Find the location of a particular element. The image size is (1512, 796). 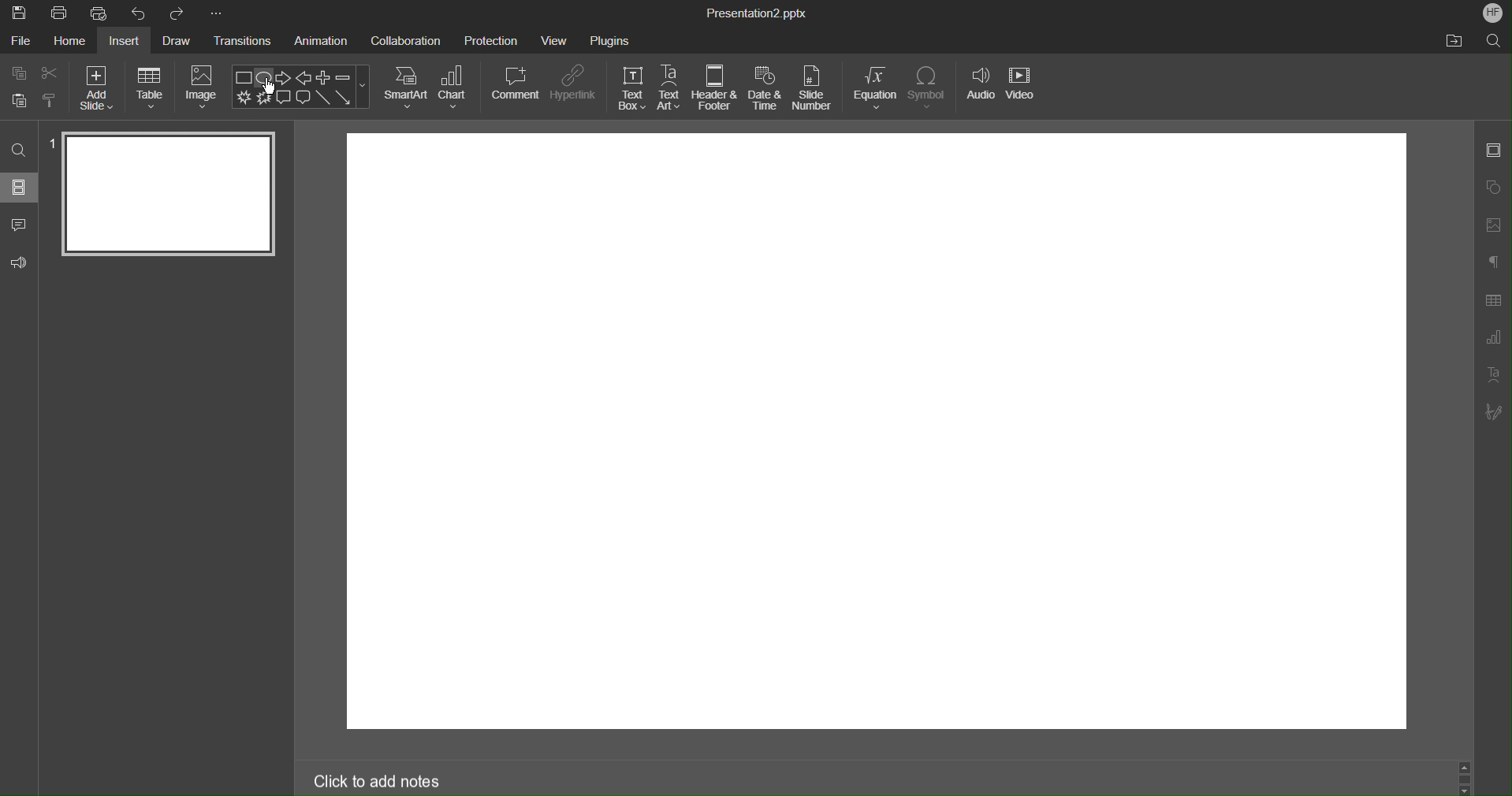

Text Box is located at coordinates (631, 88).